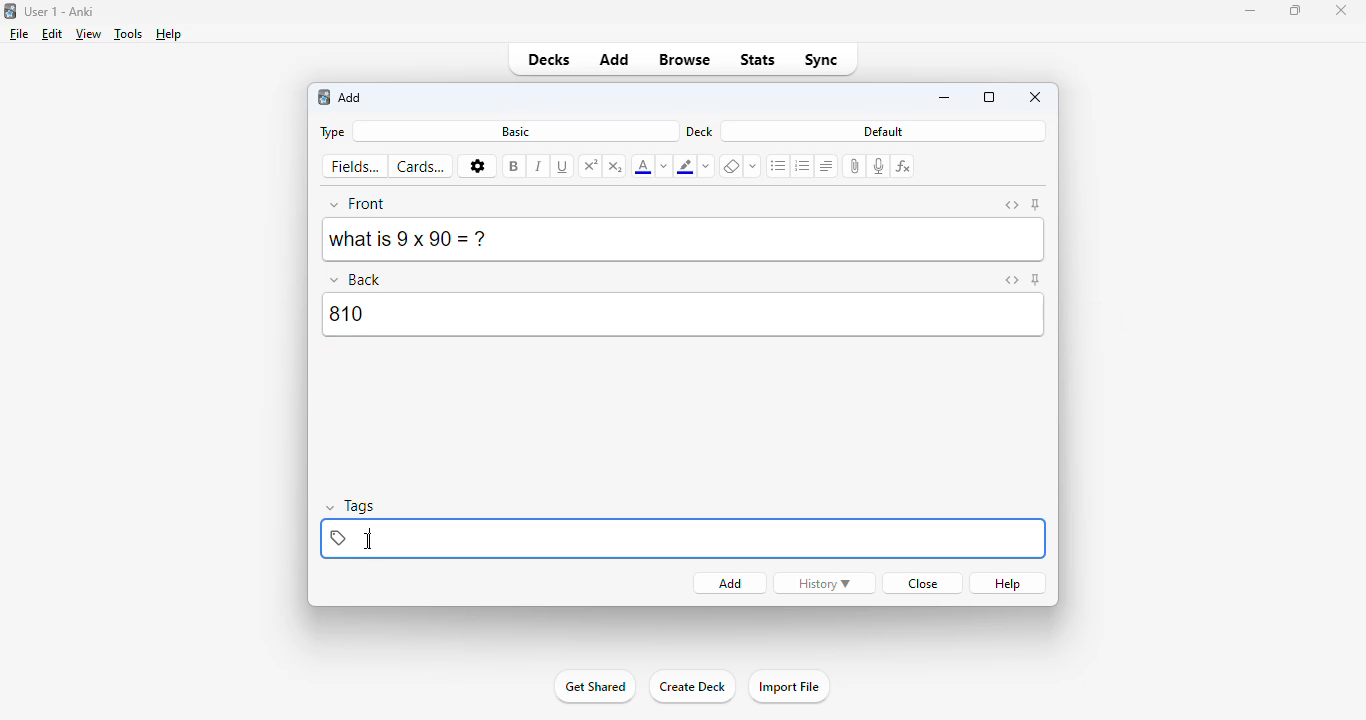  I want to click on toggle HTML editor, so click(1010, 280).